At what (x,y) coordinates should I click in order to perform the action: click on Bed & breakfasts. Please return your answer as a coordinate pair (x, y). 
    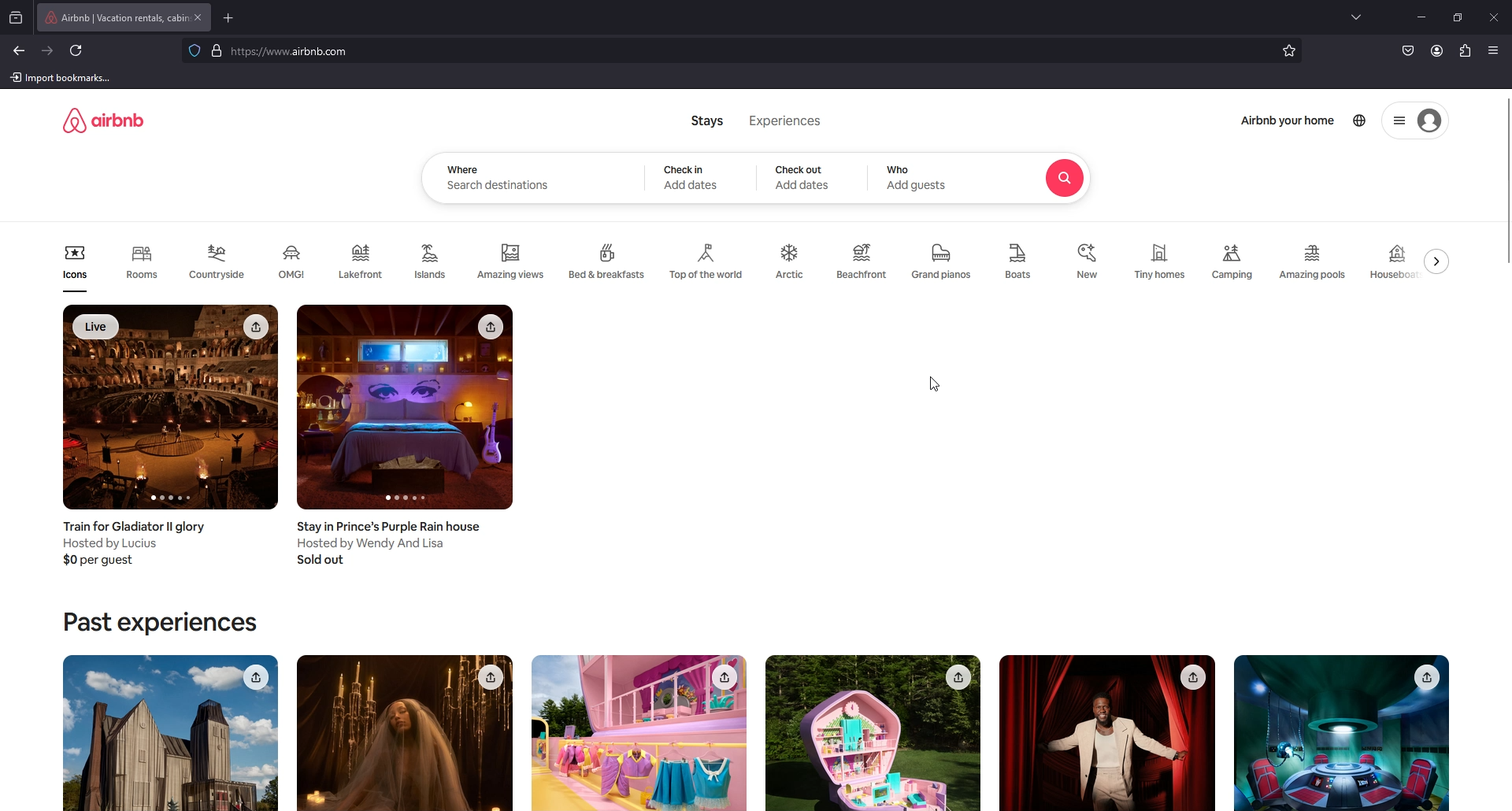
    Looking at the image, I should click on (609, 259).